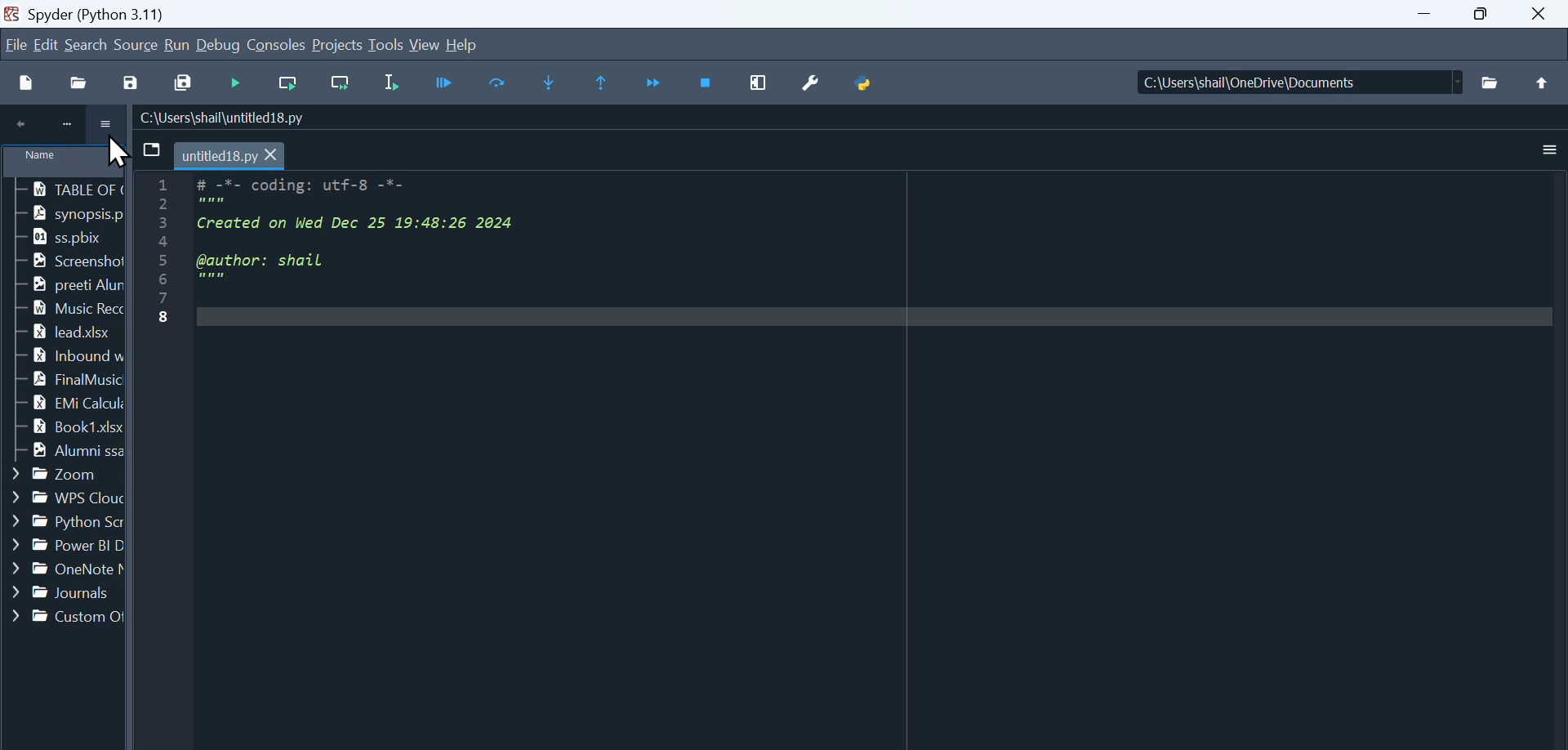 The height and width of the screenshot is (750, 1568). What do you see at coordinates (68, 190) in the screenshot?
I see `TABLE OF..` at bounding box center [68, 190].